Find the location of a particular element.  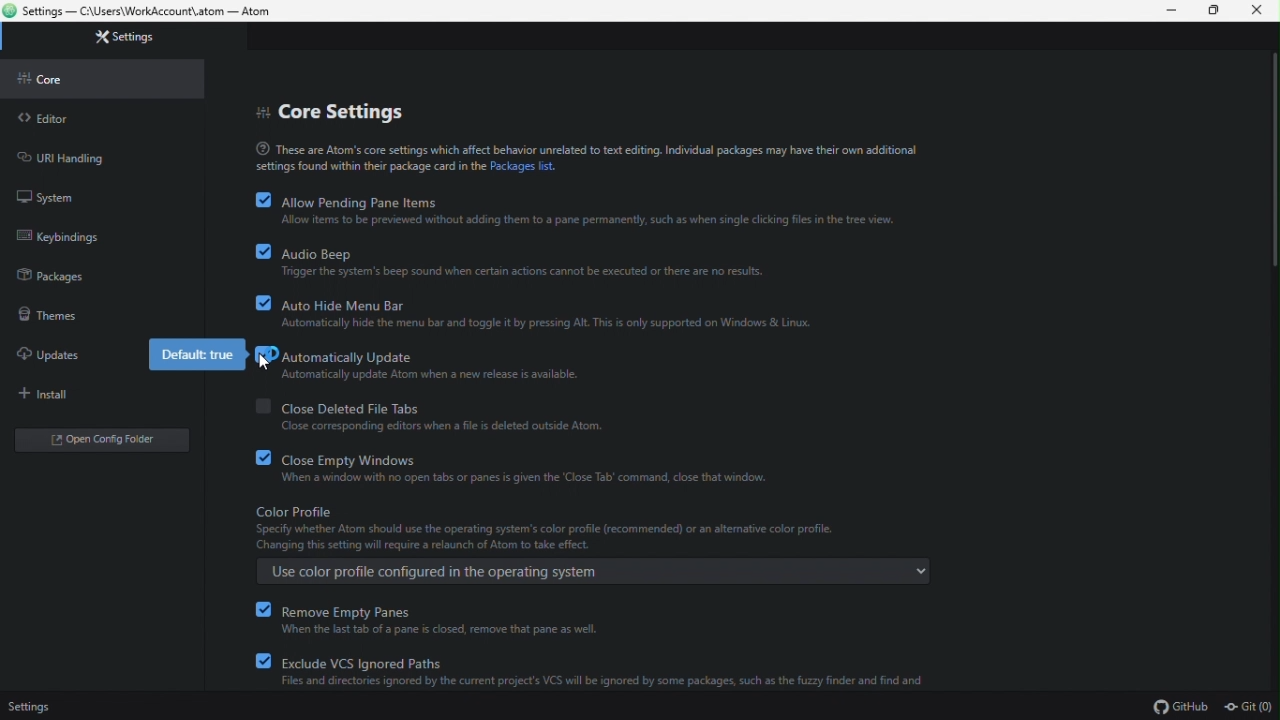

editor is located at coordinates (48, 118).